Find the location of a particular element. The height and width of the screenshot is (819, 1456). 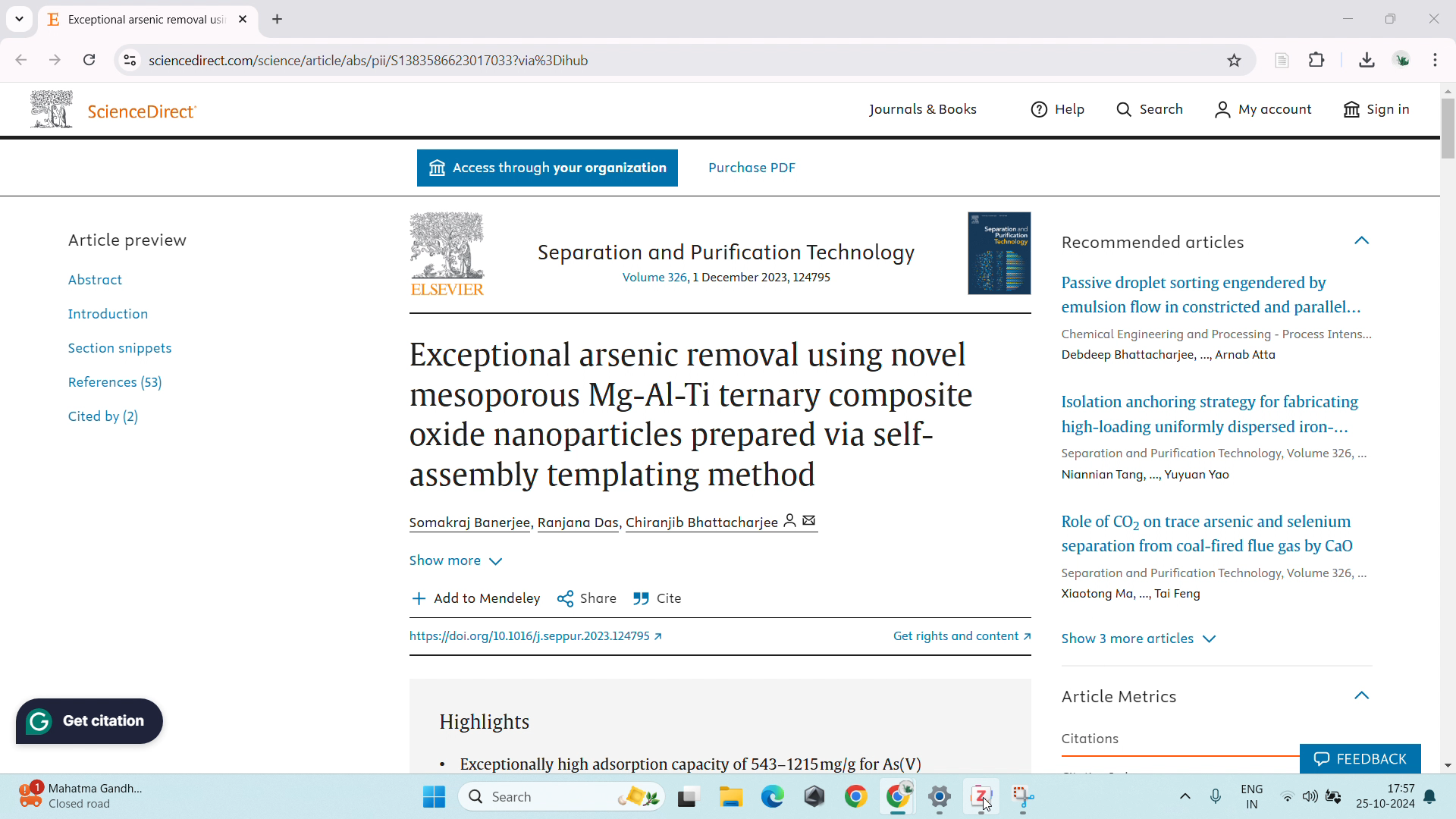

url space is located at coordinates (682, 60).